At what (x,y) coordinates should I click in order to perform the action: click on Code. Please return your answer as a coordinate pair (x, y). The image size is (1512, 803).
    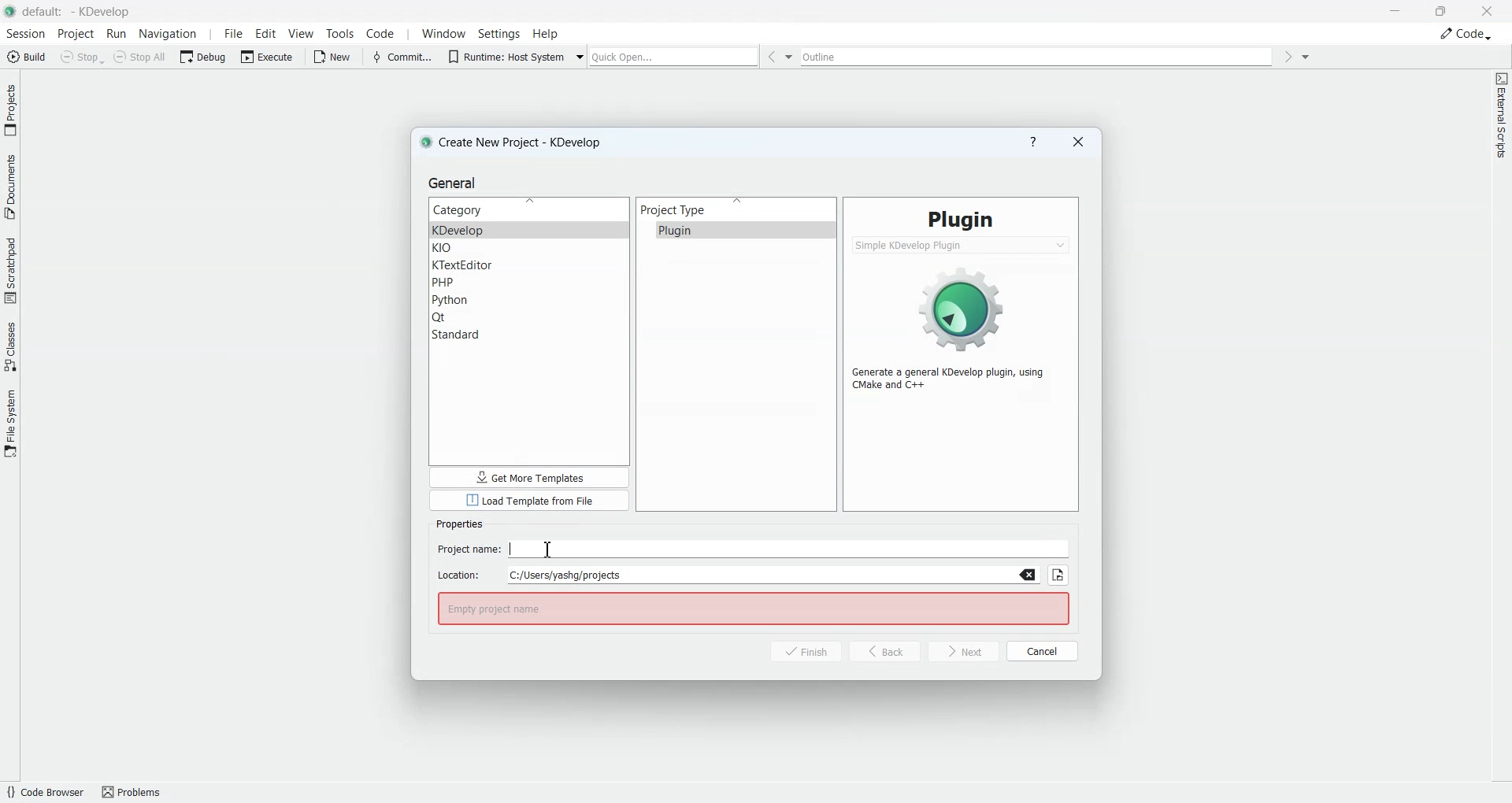
    Looking at the image, I should click on (381, 33).